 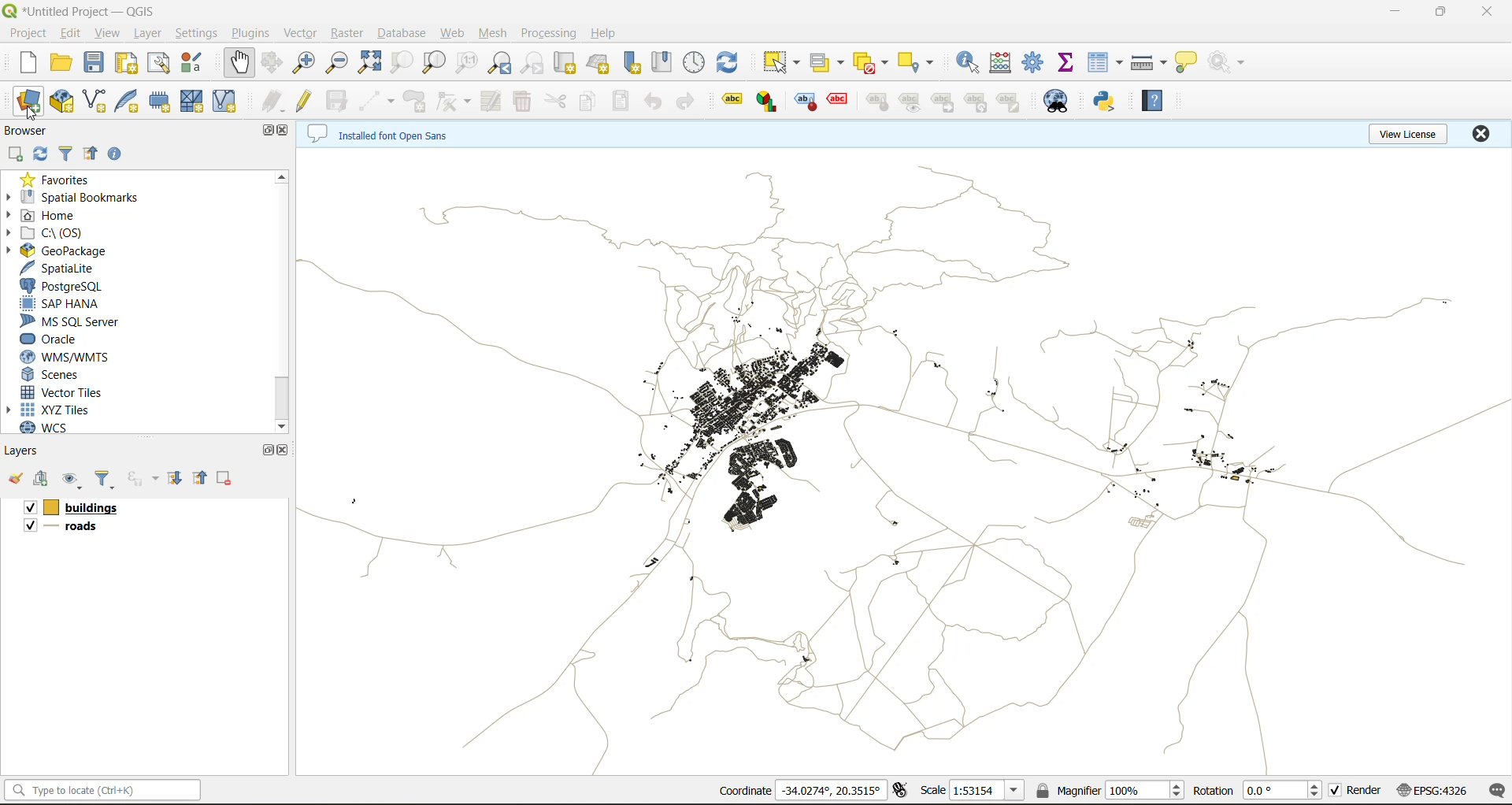 I want to click on calculator, so click(x=1006, y=65).